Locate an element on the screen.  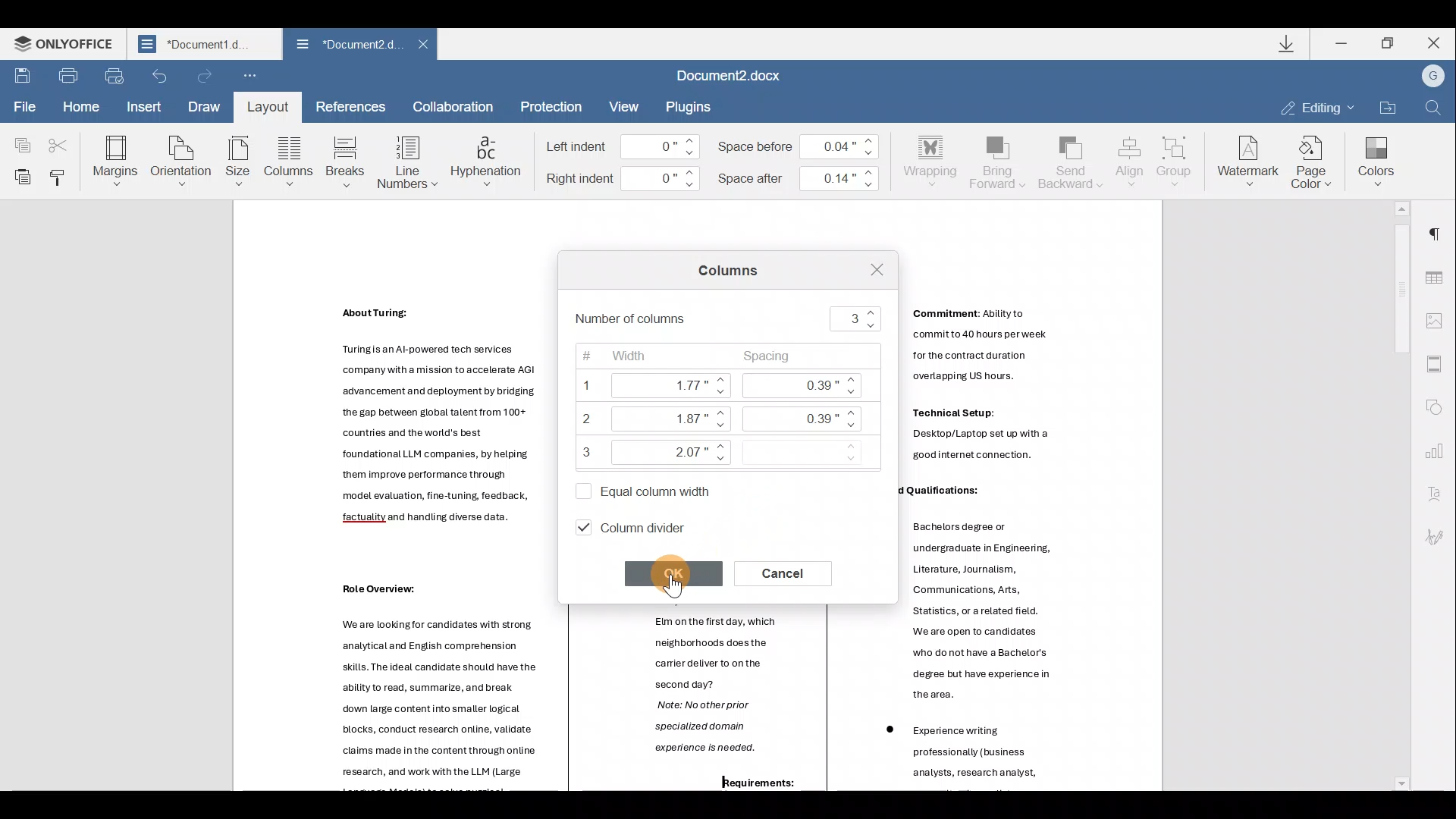
Align is located at coordinates (1130, 160).